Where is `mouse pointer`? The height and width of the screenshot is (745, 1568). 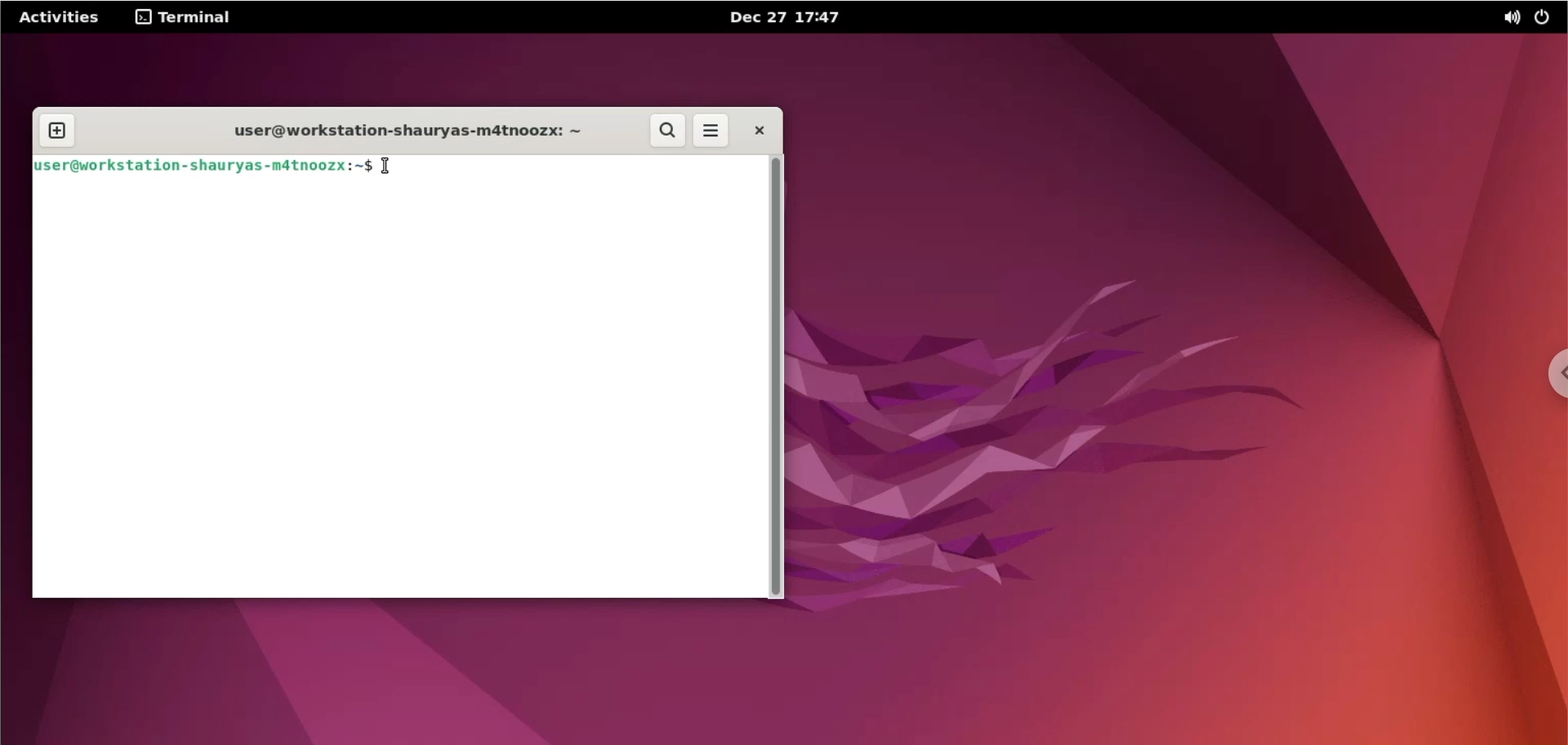
mouse pointer is located at coordinates (386, 167).